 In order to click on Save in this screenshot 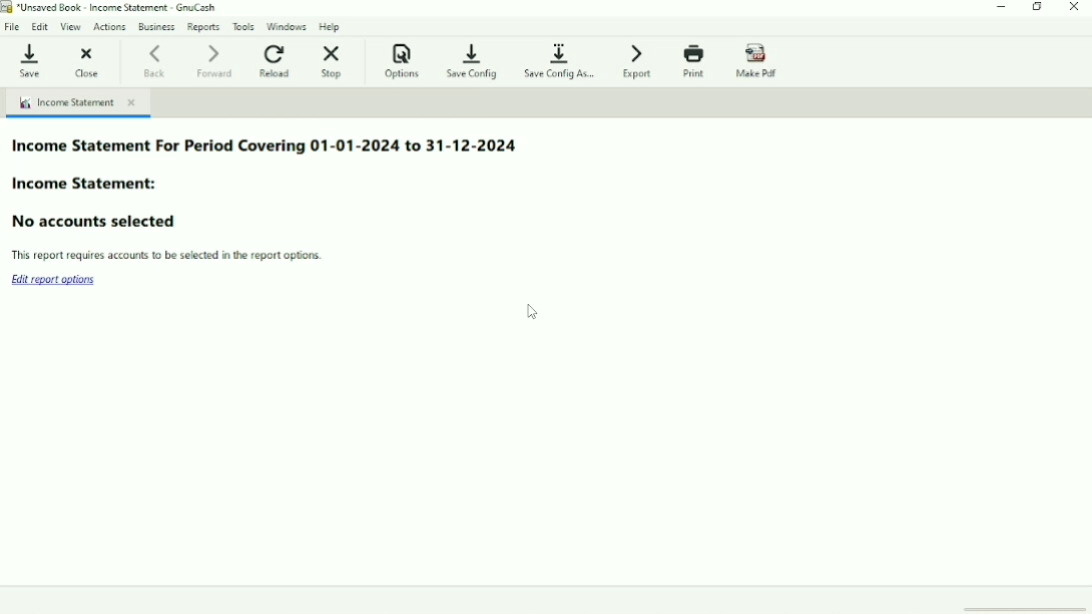, I will do `click(29, 58)`.